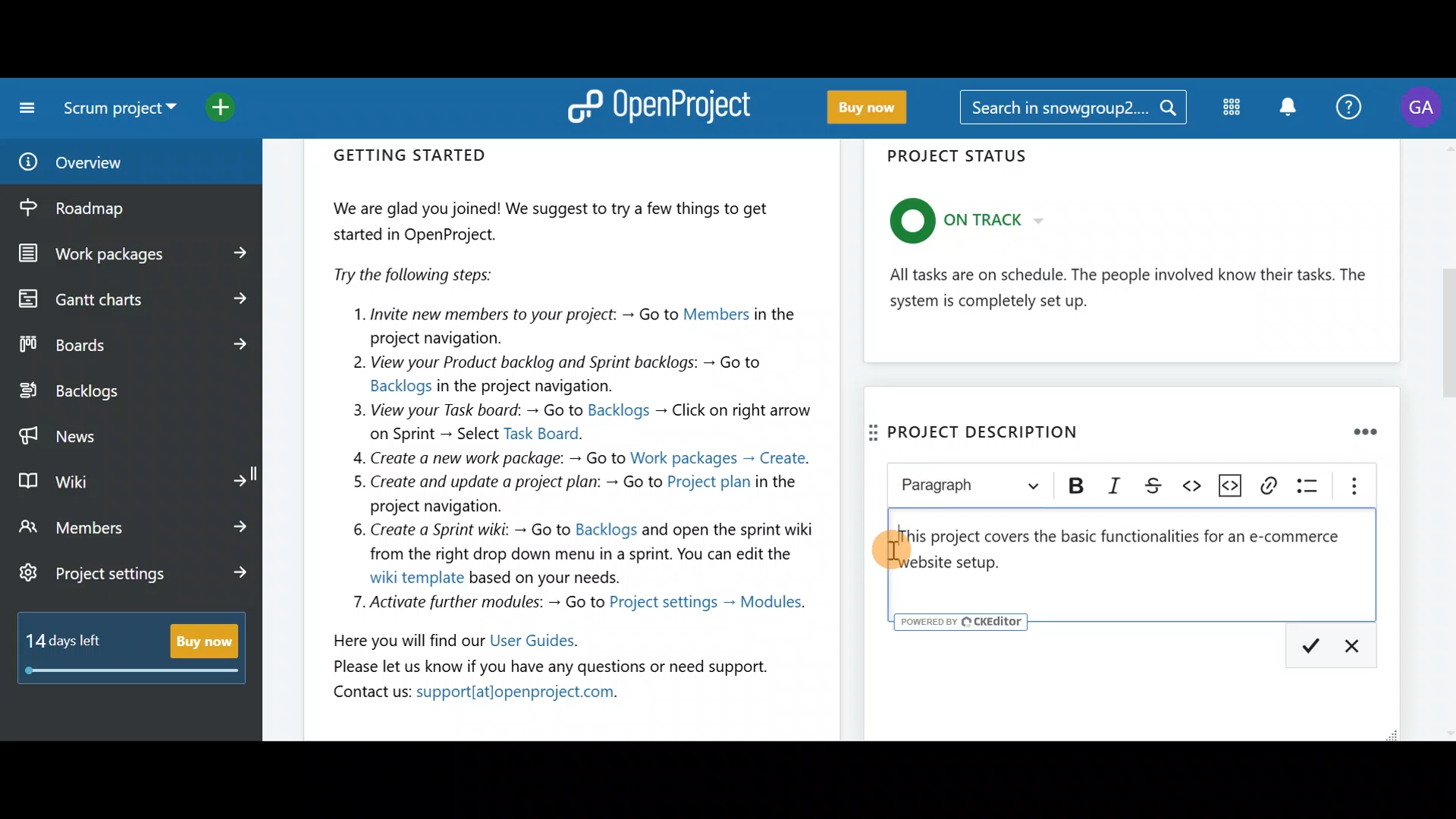 This screenshot has width=1456, height=819. I want to click on News, so click(130, 432).